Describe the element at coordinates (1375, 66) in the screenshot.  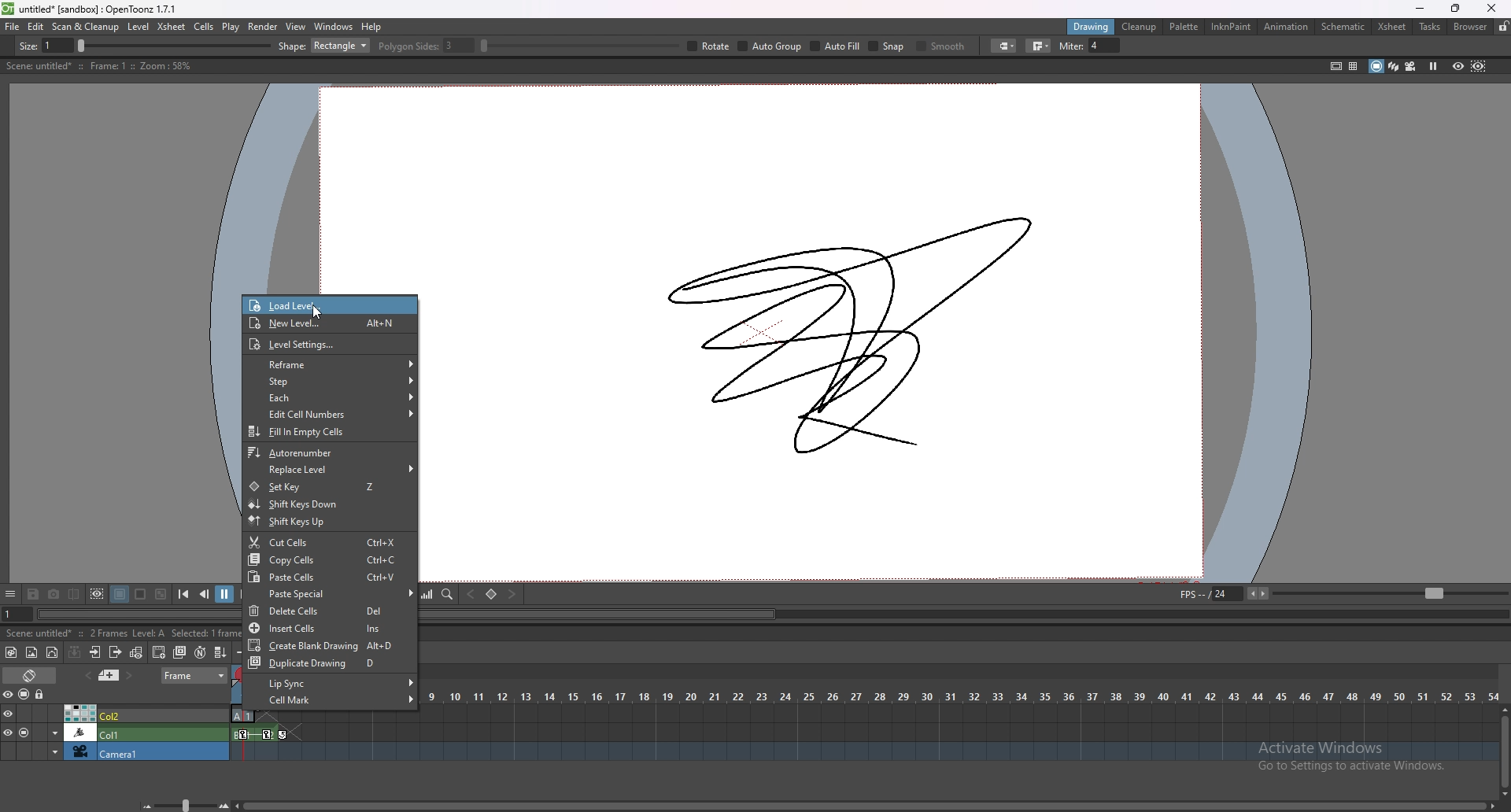
I see `camera stand view` at that location.